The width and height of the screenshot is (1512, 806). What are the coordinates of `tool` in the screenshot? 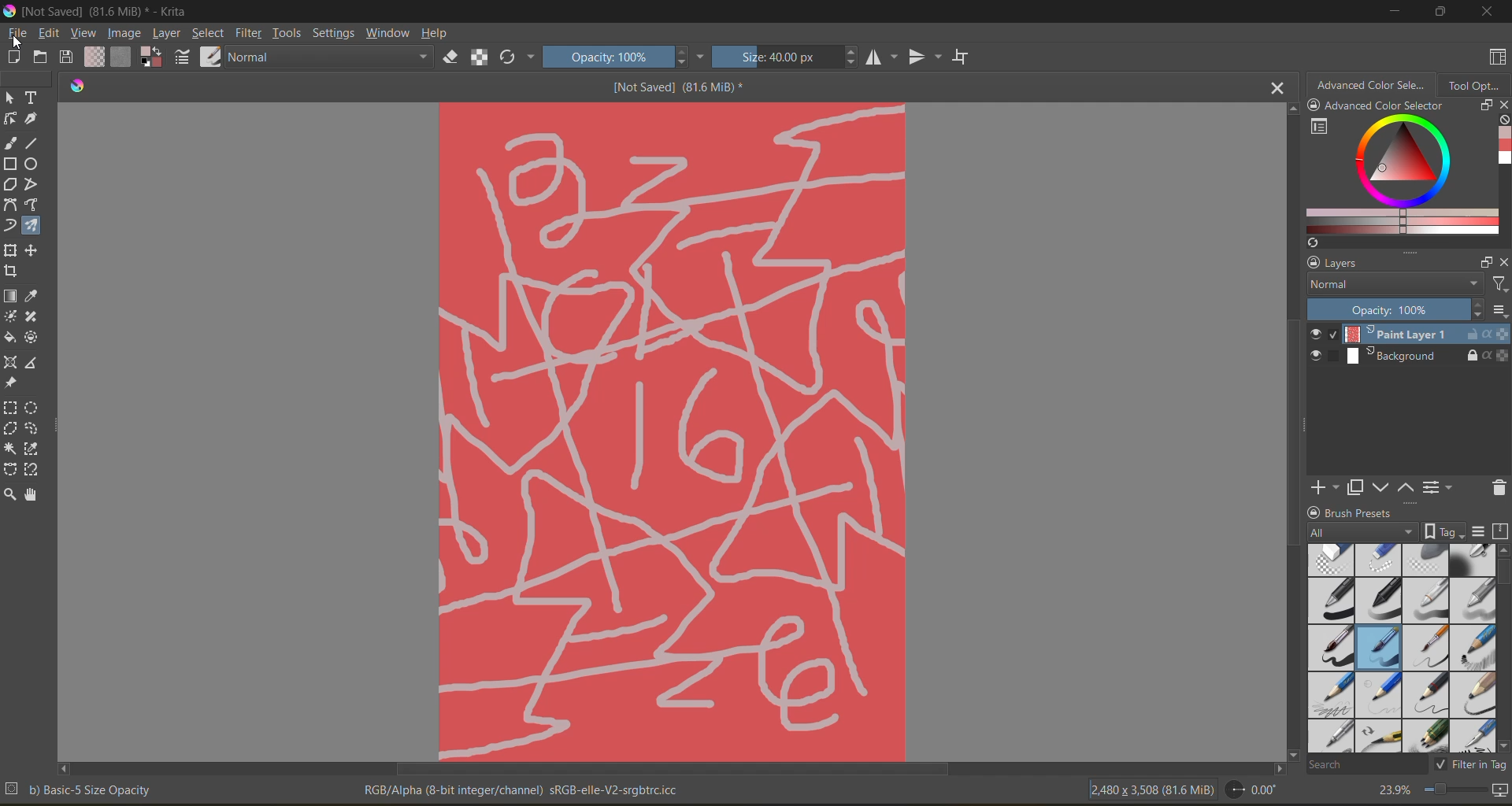 It's located at (31, 429).